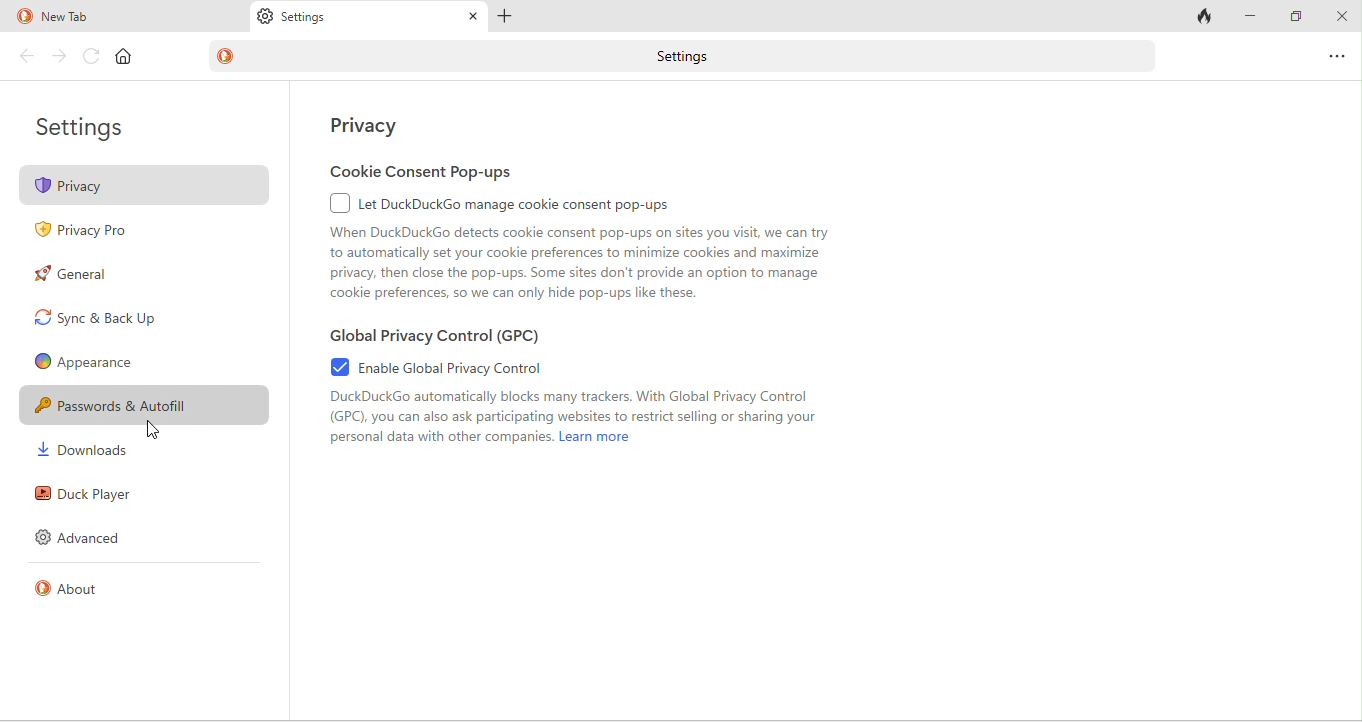 The image size is (1362, 722). I want to click on maximize, so click(1299, 18).